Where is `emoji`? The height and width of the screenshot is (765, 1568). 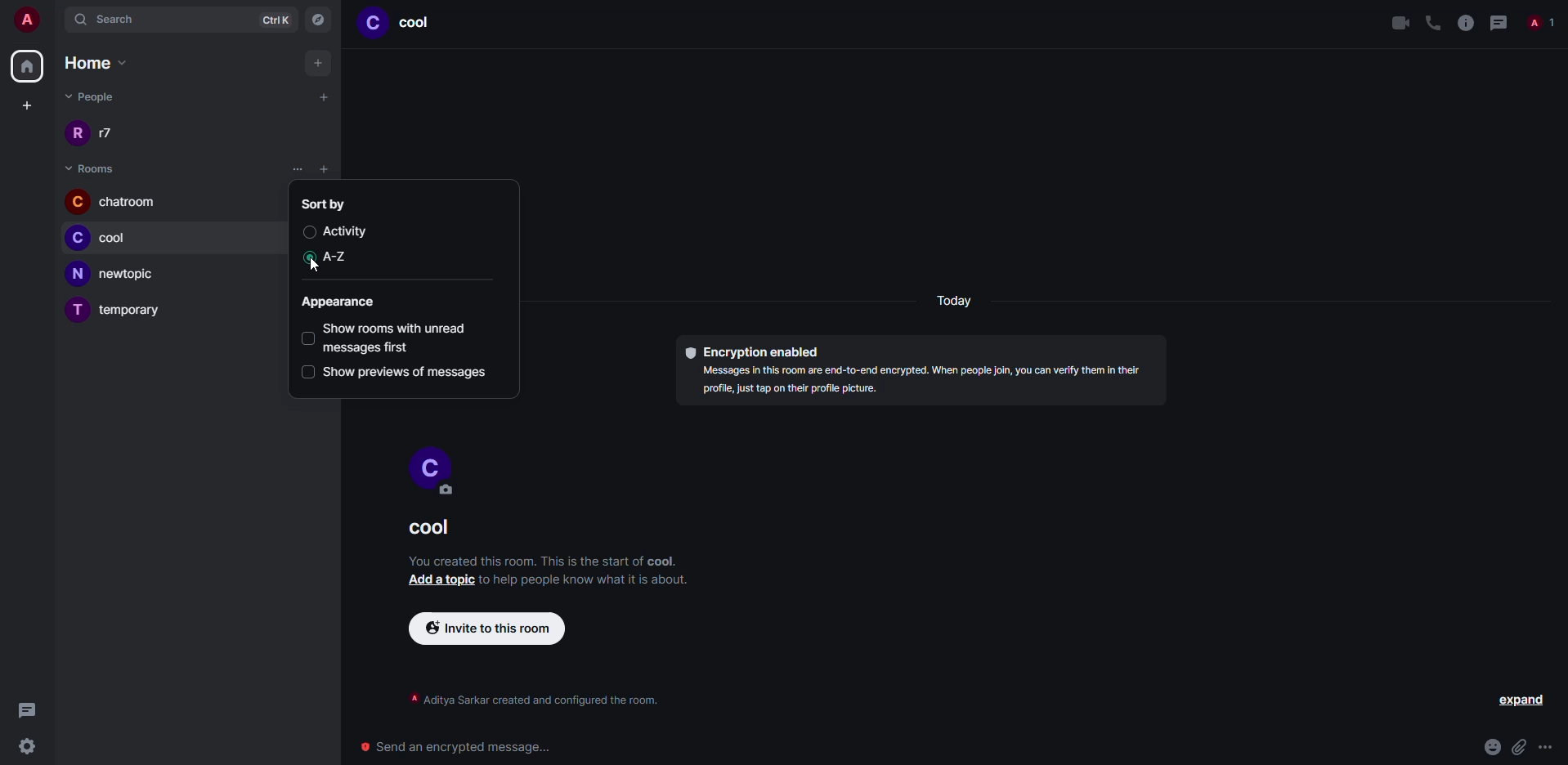
emoji is located at coordinates (1490, 747).